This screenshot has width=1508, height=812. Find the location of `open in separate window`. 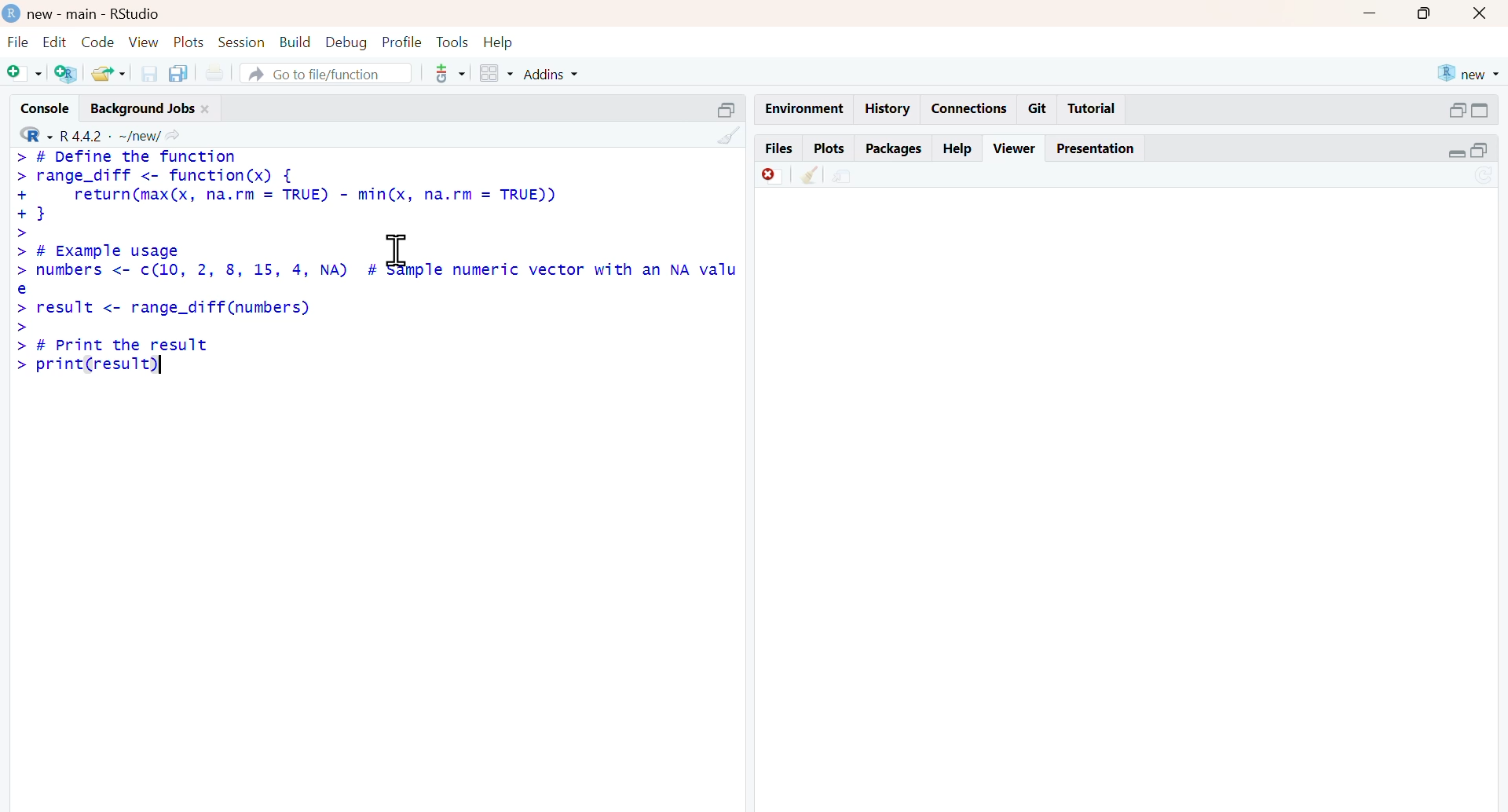

open in separate window is located at coordinates (1458, 110).